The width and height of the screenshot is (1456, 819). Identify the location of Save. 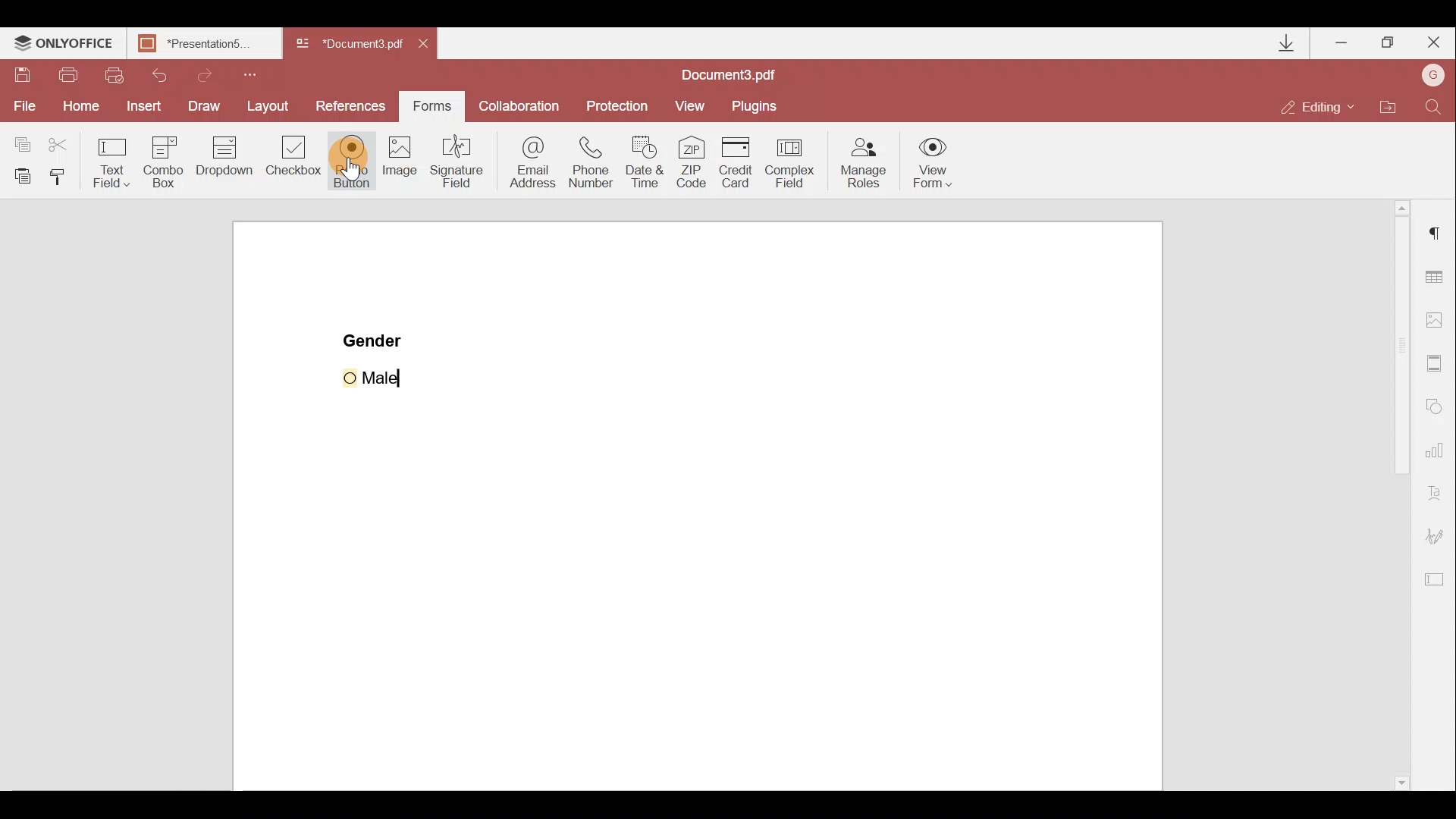
(24, 76).